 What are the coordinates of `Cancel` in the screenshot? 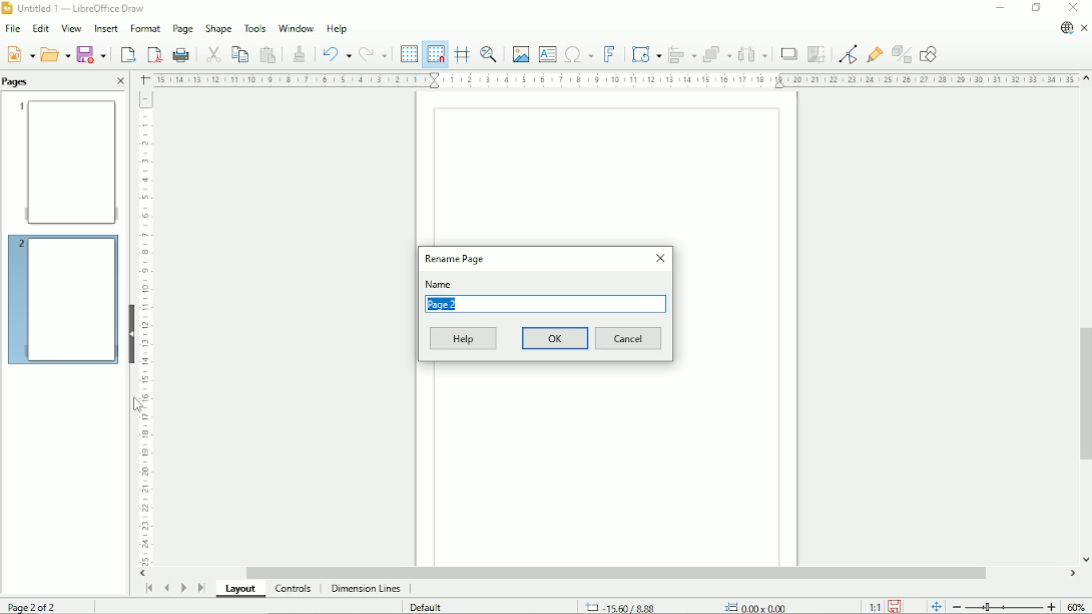 It's located at (629, 339).